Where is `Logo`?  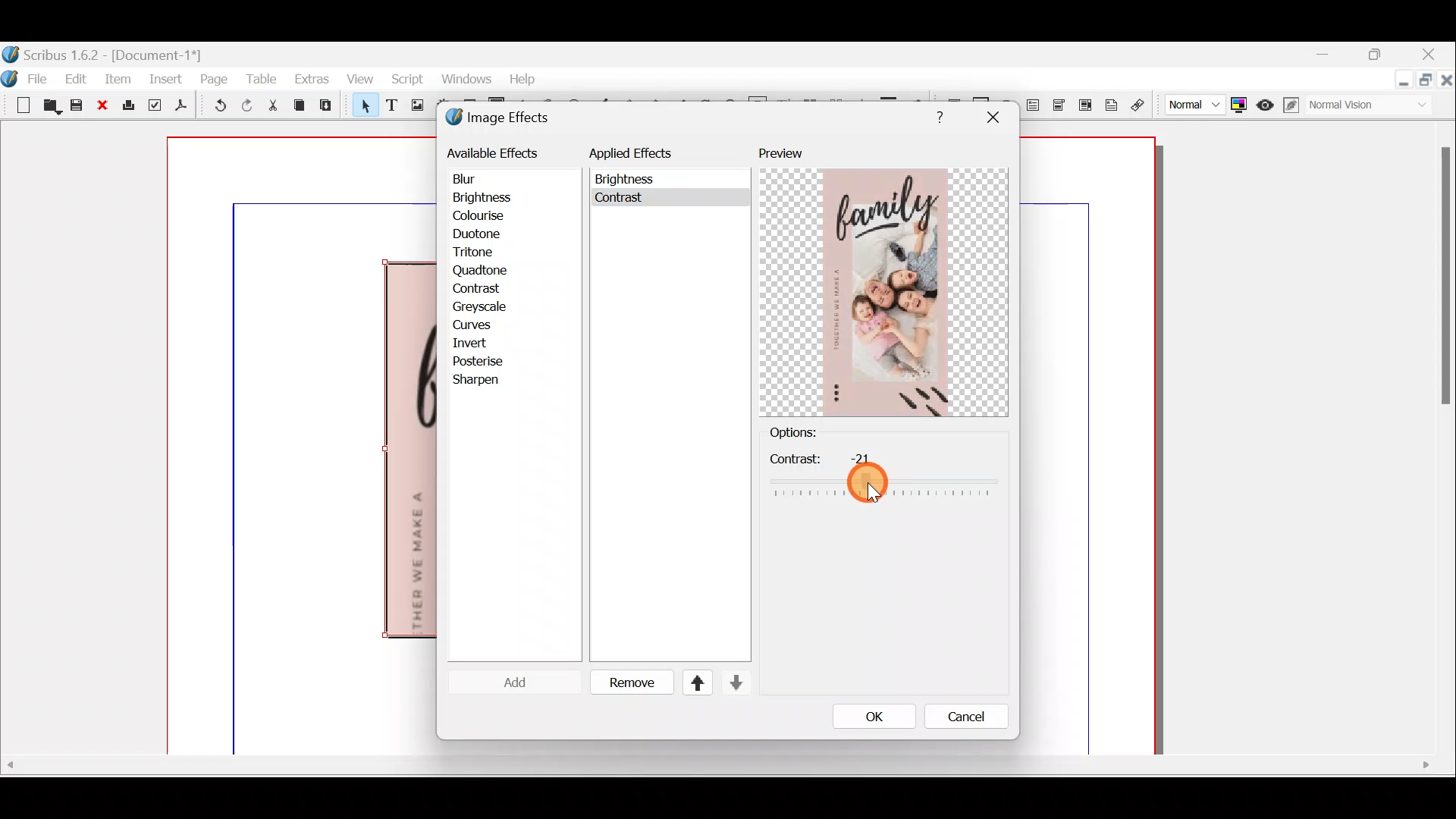
Logo is located at coordinates (10, 78).